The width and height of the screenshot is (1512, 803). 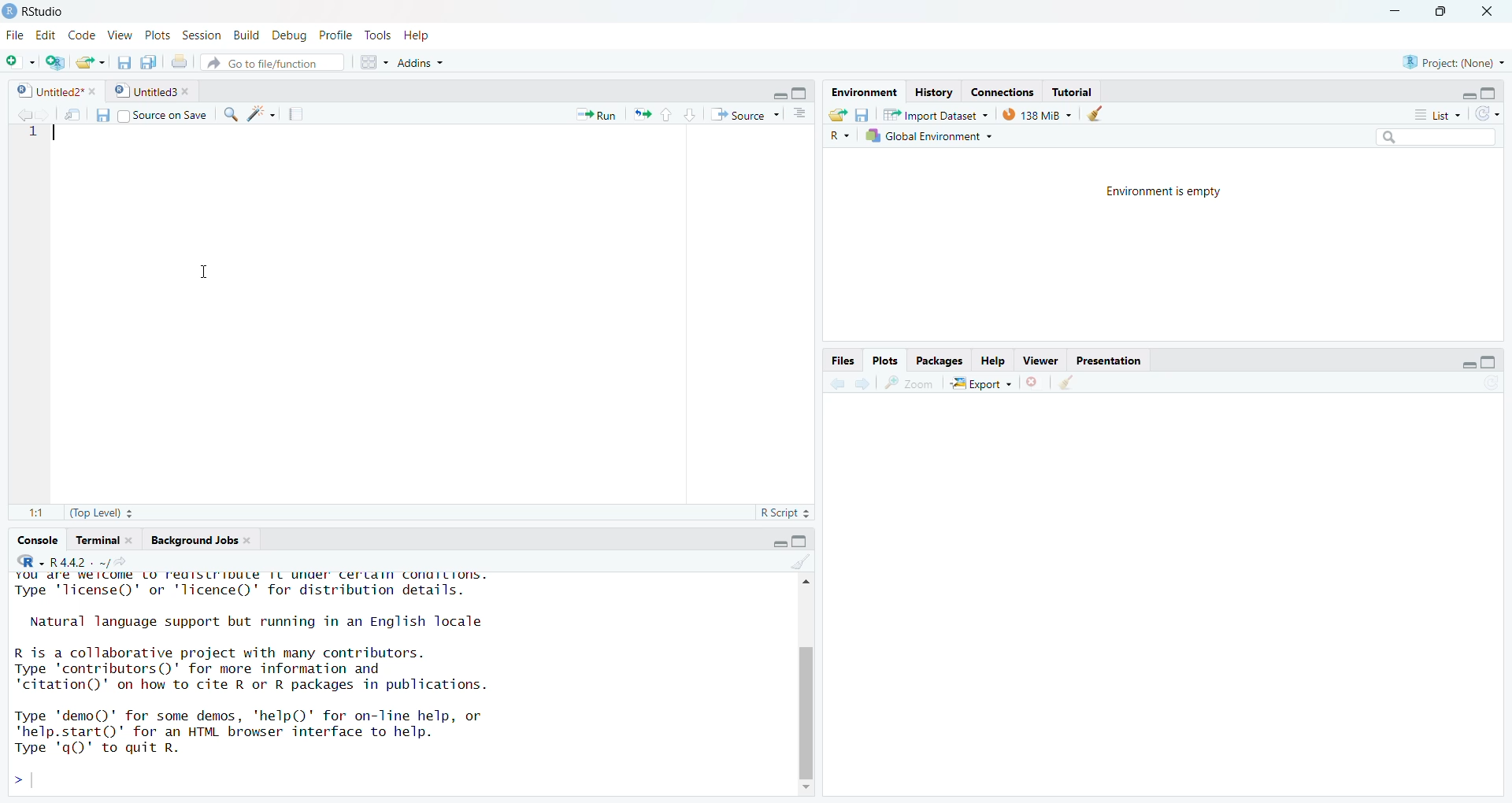 I want to click on maximize, so click(x=1444, y=16).